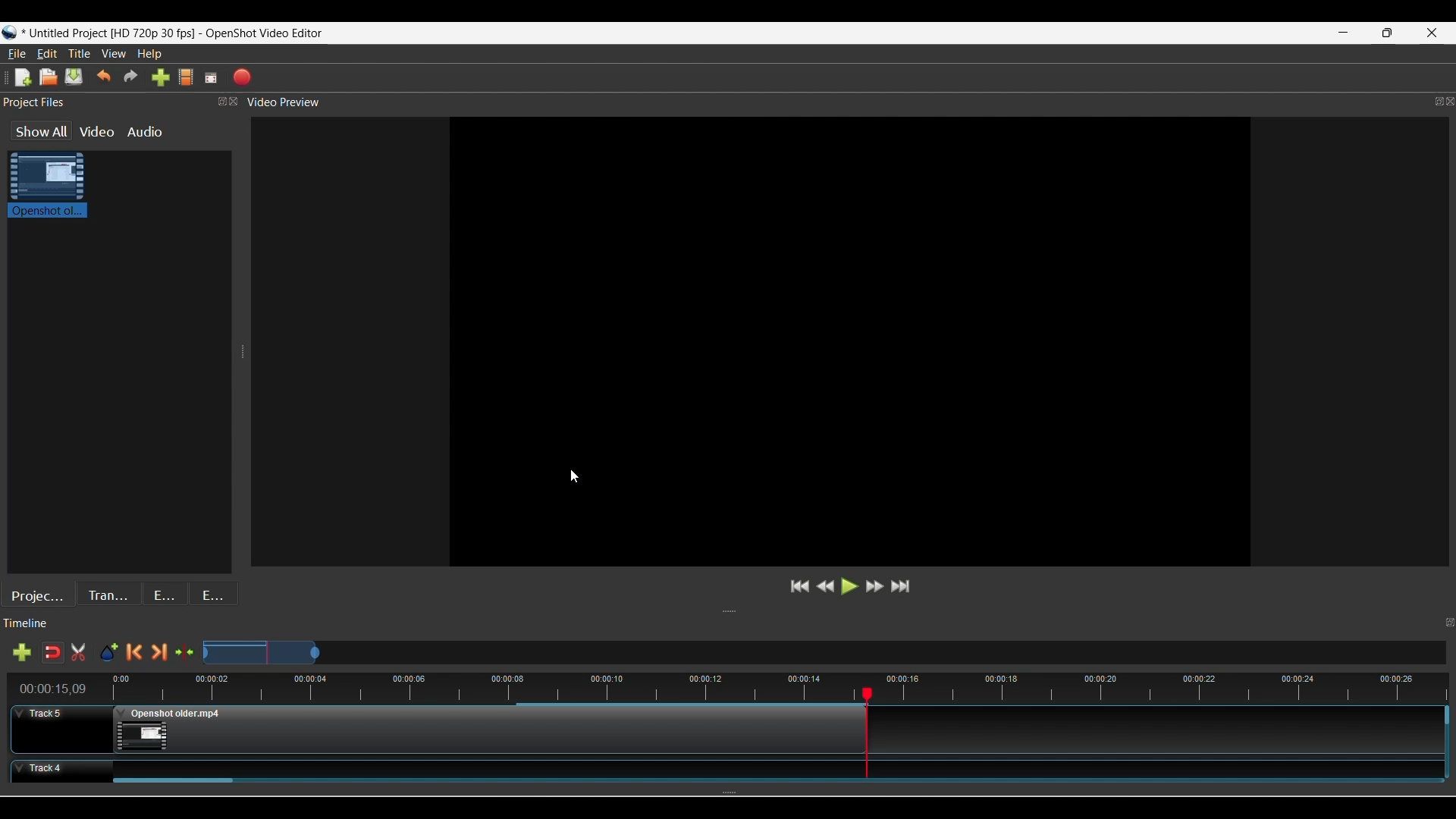  What do you see at coordinates (823, 653) in the screenshot?
I see `Zoom Slider` at bounding box center [823, 653].